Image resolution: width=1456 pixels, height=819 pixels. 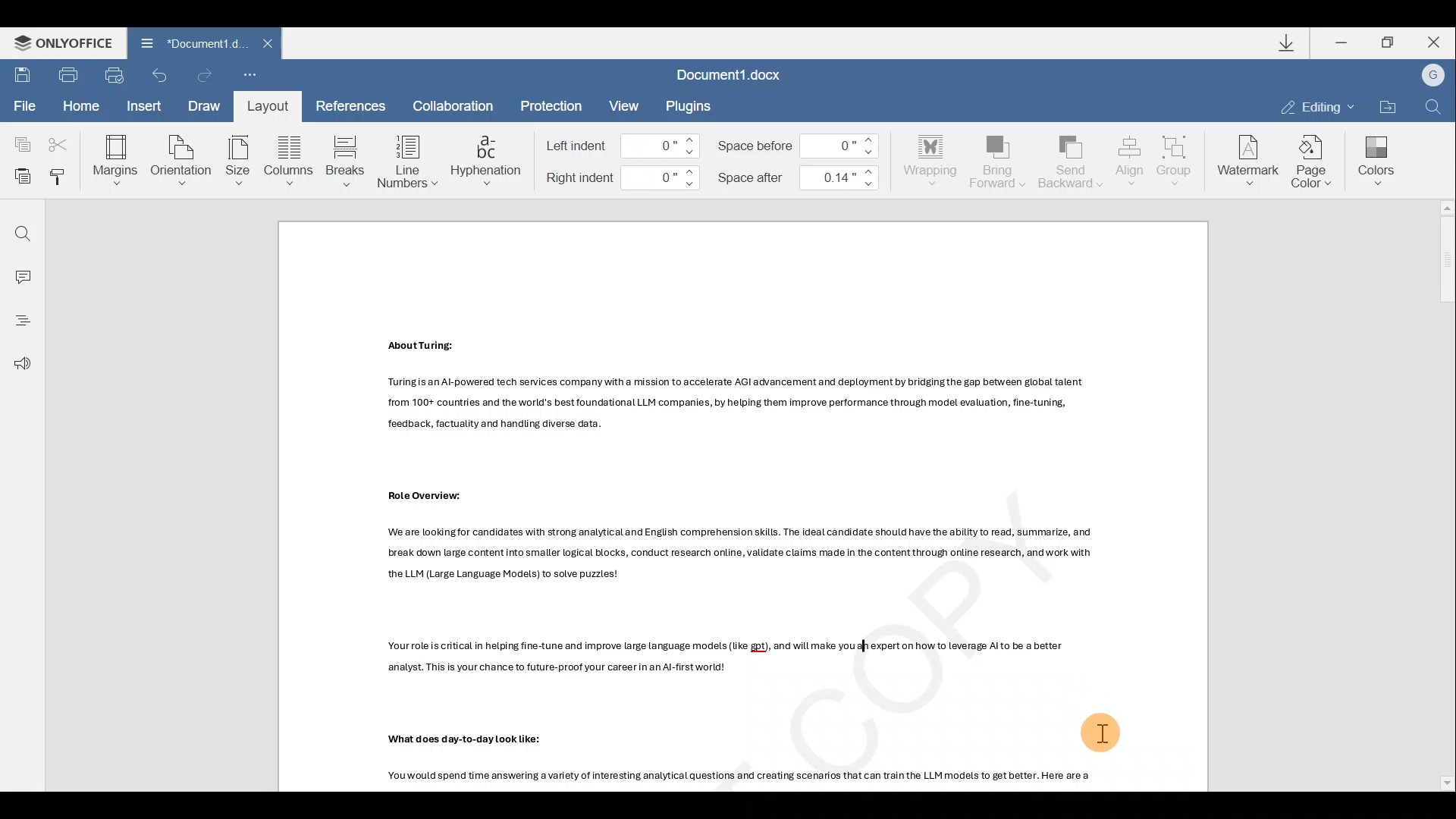 What do you see at coordinates (21, 106) in the screenshot?
I see `File` at bounding box center [21, 106].